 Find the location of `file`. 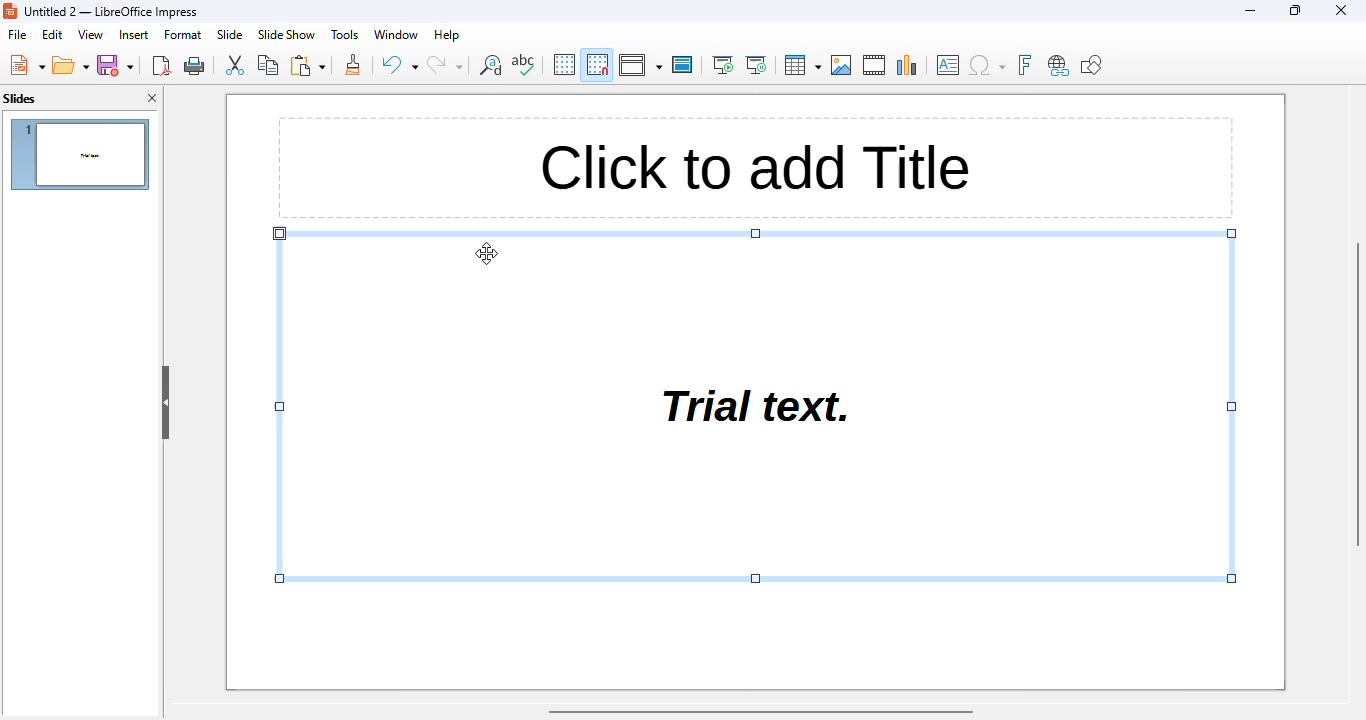

file is located at coordinates (17, 34).